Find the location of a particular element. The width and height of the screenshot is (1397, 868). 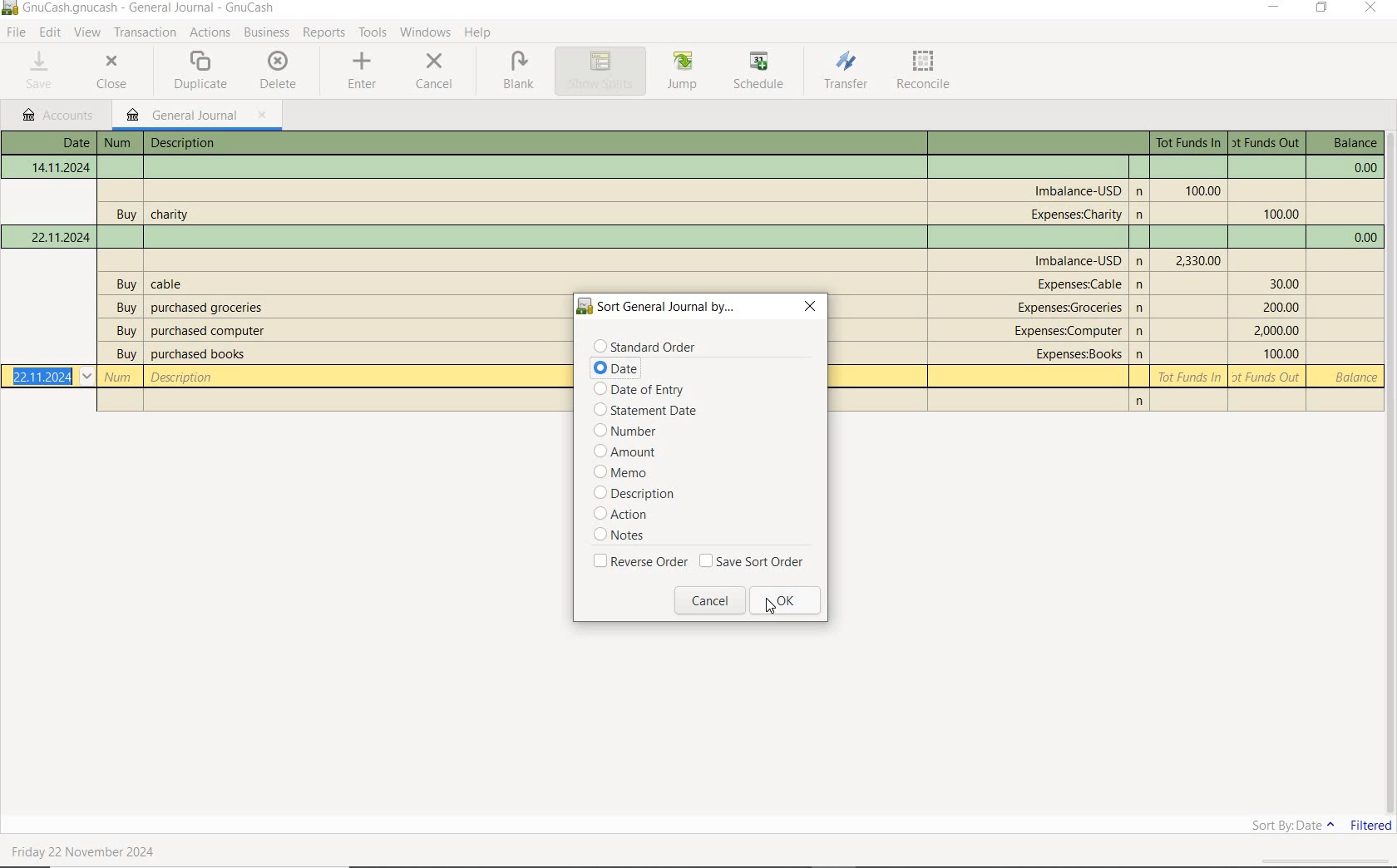

GENERAL JOURNAL is located at coordinates (195, 116).